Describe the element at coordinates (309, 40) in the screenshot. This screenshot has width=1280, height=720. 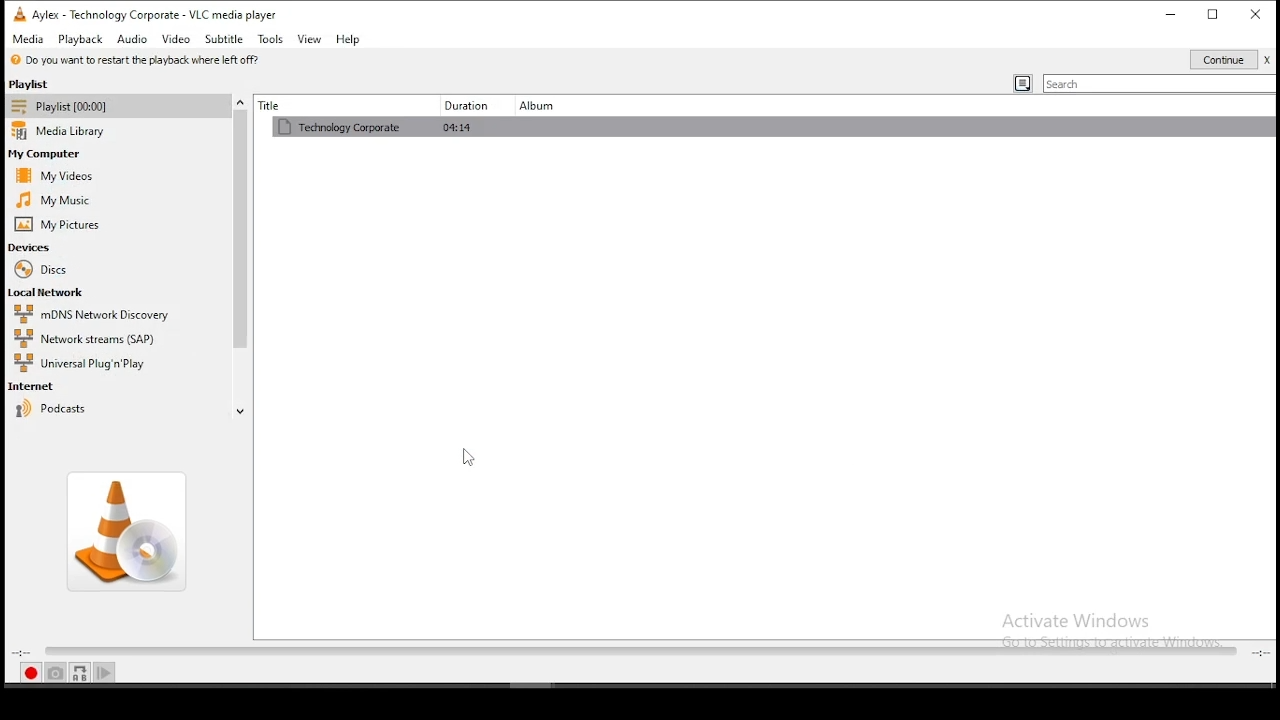
I see `view` at that location.